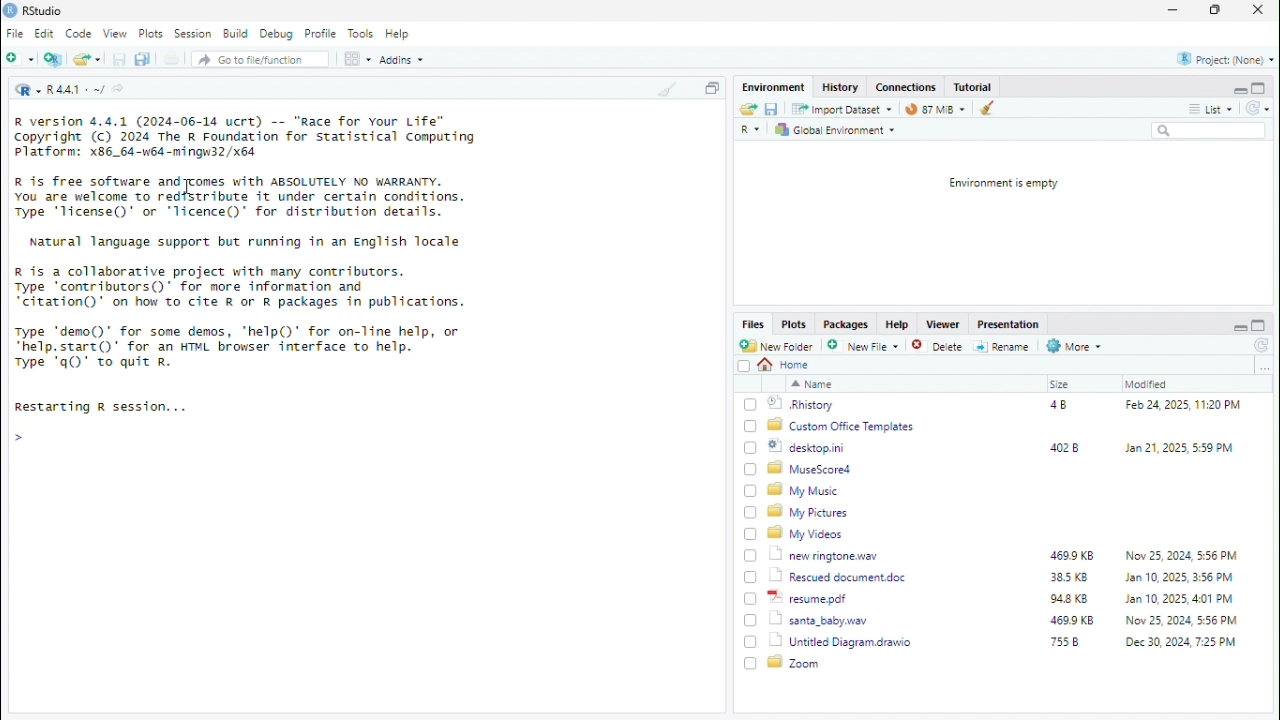 Image resolution: width=1280 pixels, height=720 pixels. I want to click on Project:(None), so click(1227, 60).